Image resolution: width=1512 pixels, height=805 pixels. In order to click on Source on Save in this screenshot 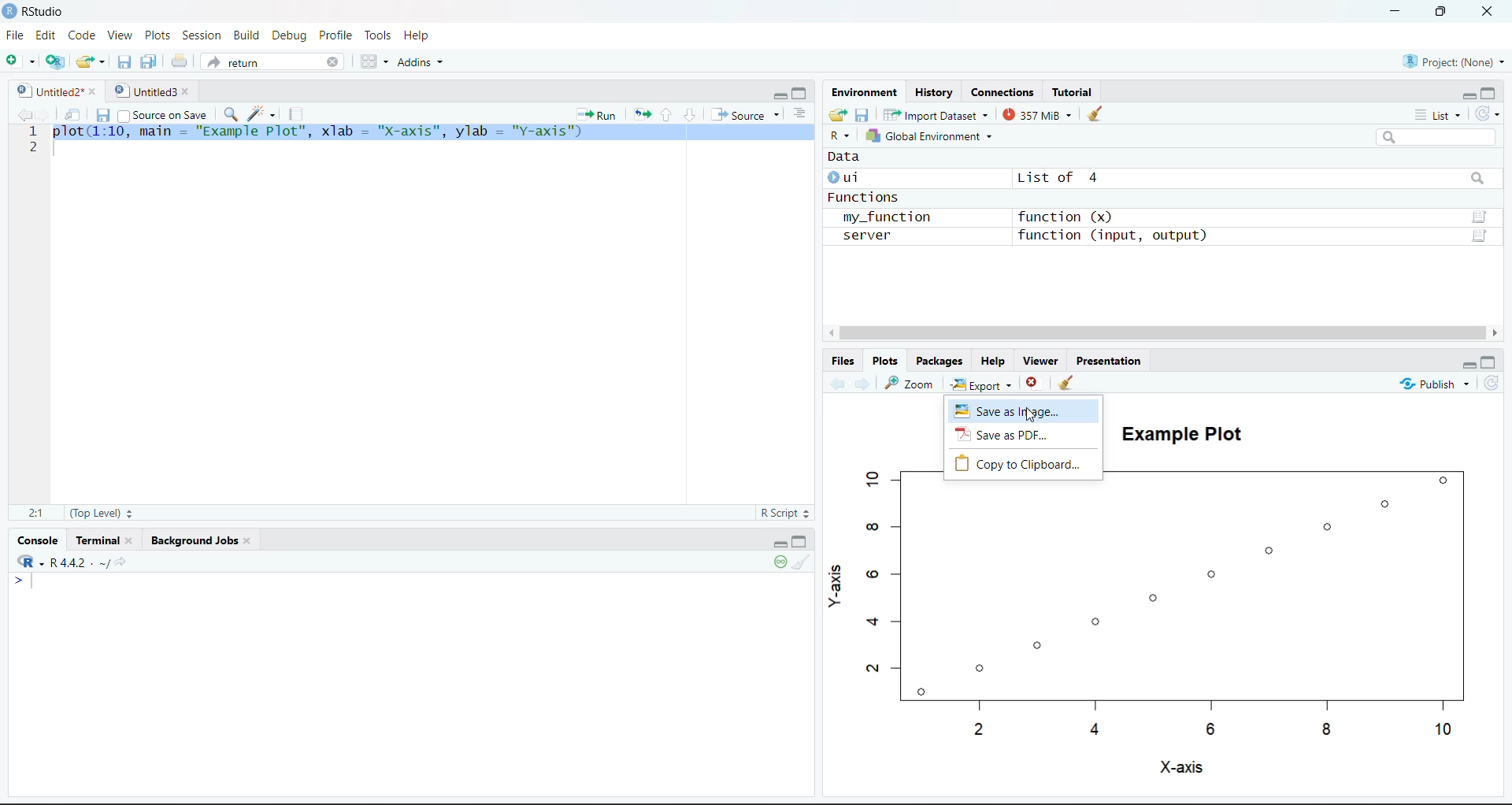, I will do `click(163, 113)`.